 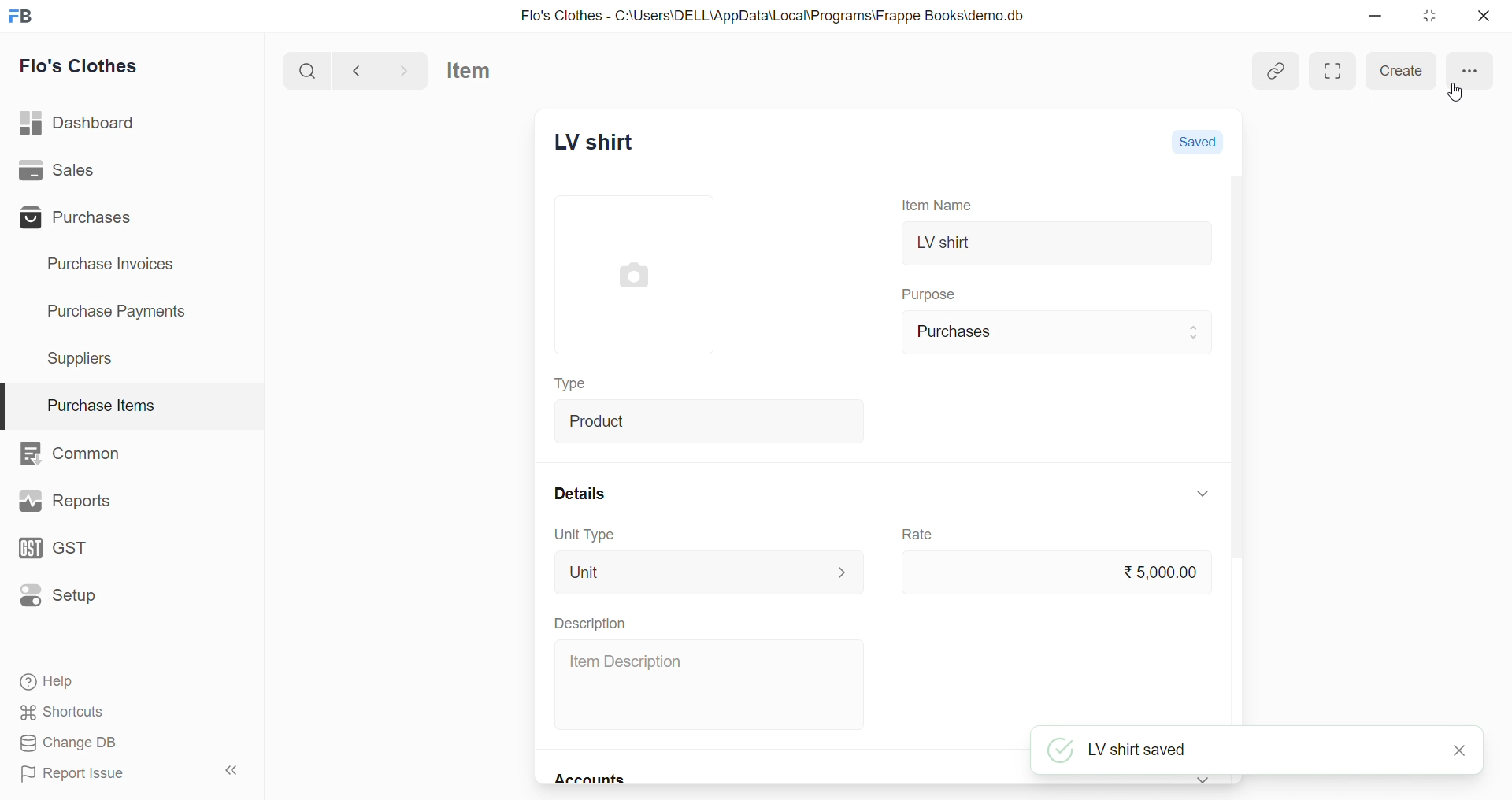 What do you see at coordinates (124, 743) in the screenshot?
I see `Change DB` at bounding box center [124, 743].